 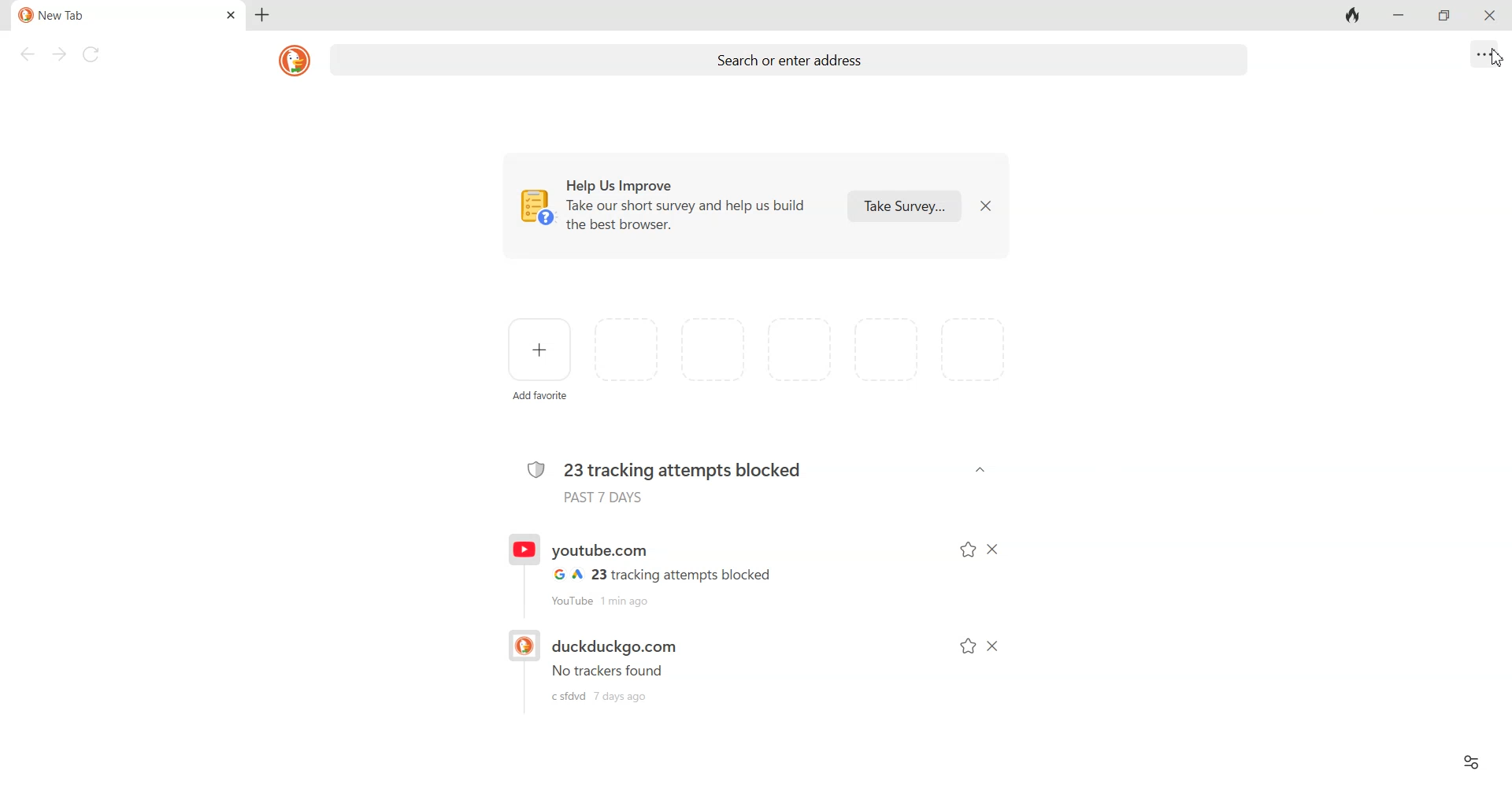 What do you see at coordinates (232, 16) in the screenshot?
I see `Close tab` at bounding box center [232, 16].